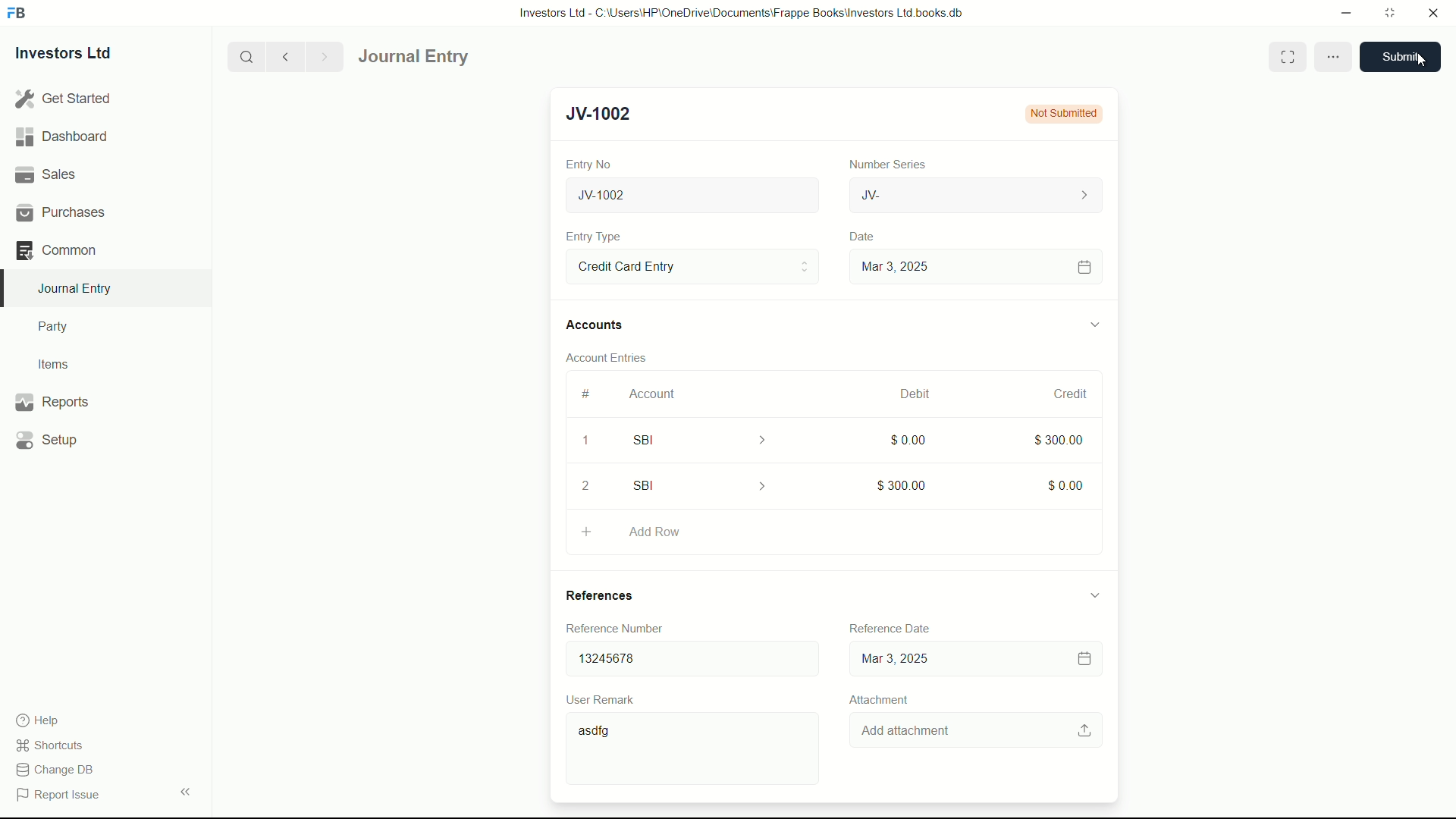 Image resolution: width=1456 pixels, height=819 pixels. I want to click on March, 2025, so click(900, 394).